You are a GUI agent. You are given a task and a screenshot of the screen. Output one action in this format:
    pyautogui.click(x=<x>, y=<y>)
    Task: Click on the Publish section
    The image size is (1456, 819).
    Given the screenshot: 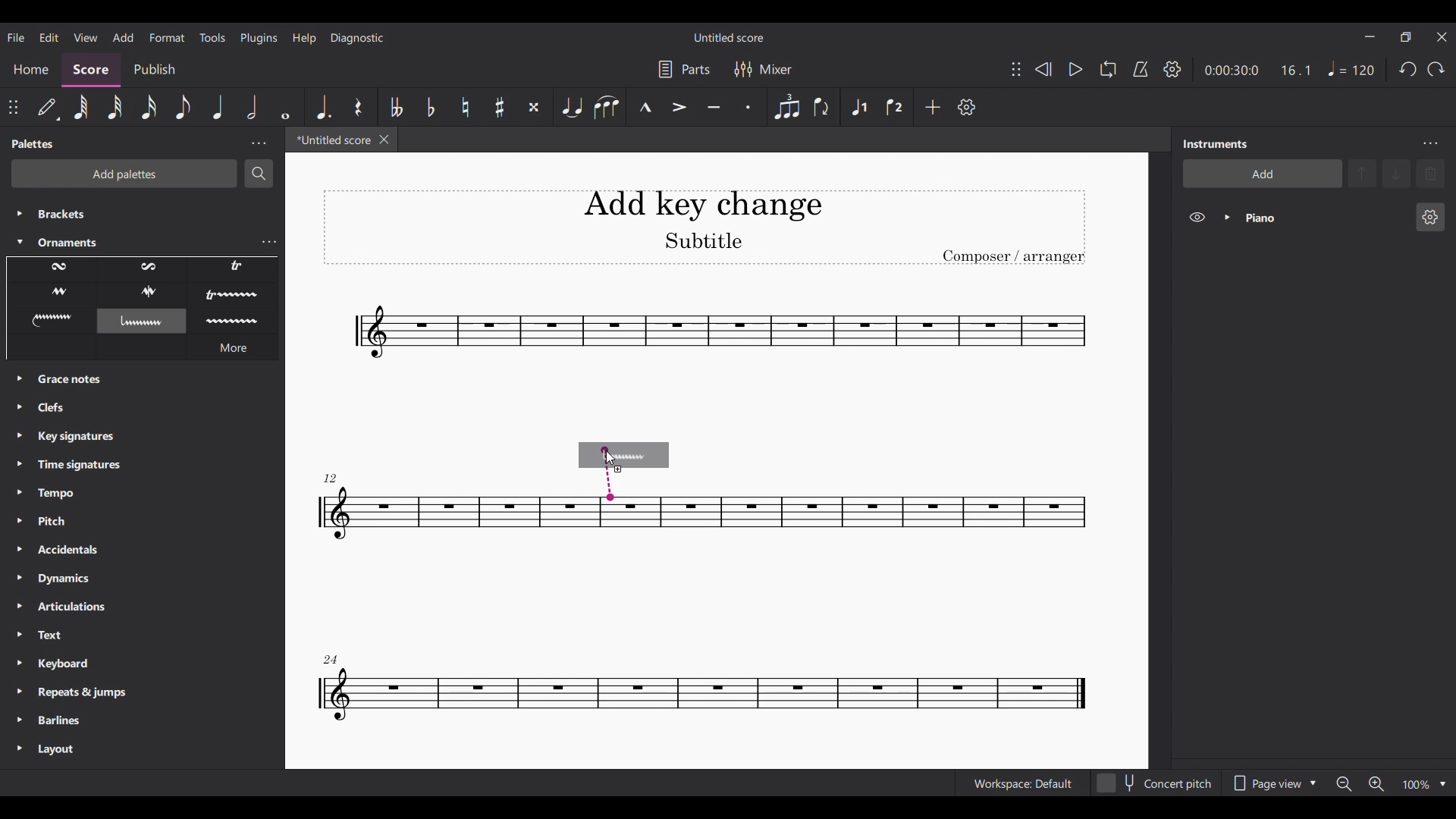 What is the action you would take?
    pyautogui.click(x=155, y=71)
    